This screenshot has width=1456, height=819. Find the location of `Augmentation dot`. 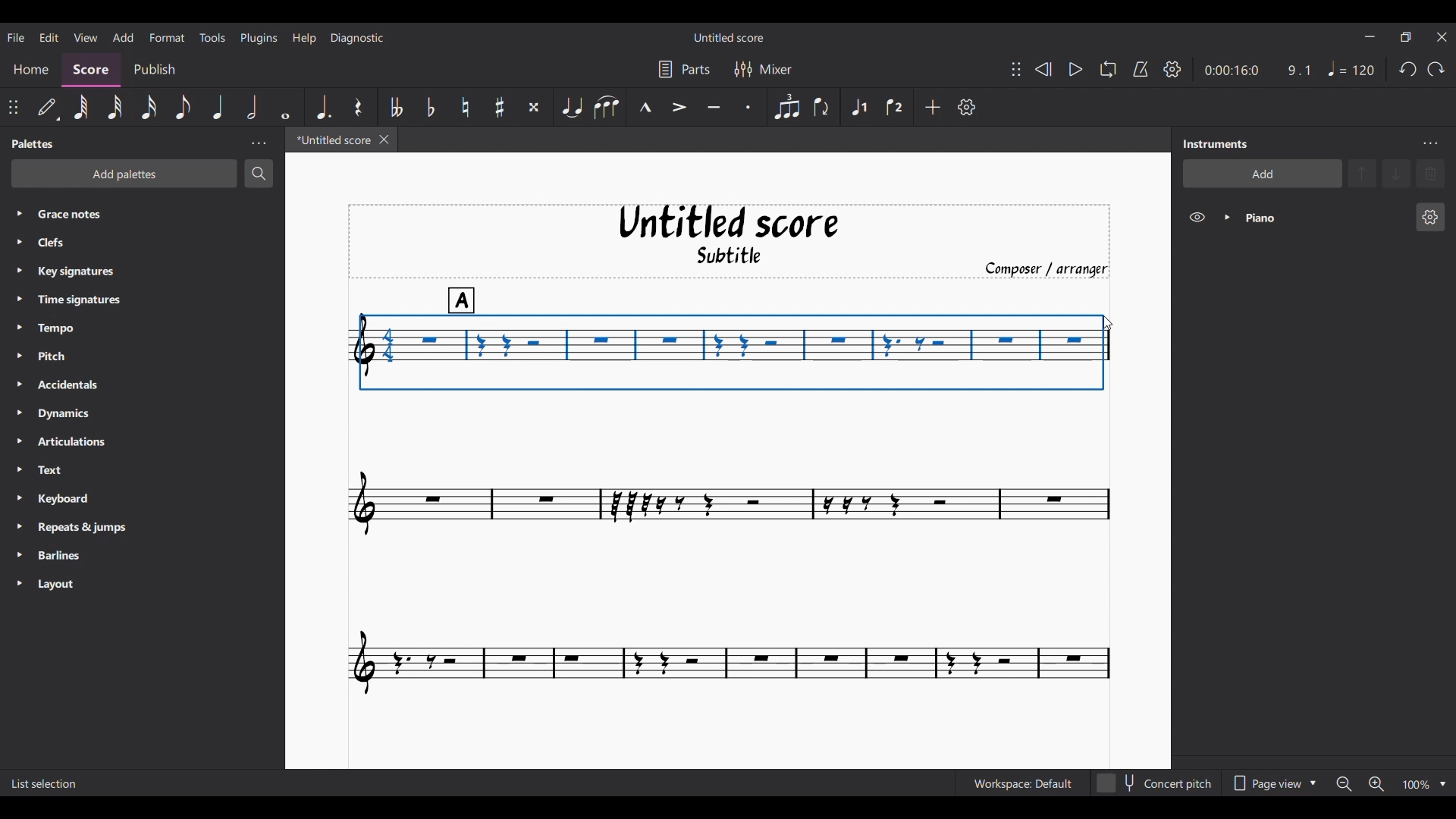

Augmentation dot is located at coordinates (323, 106).